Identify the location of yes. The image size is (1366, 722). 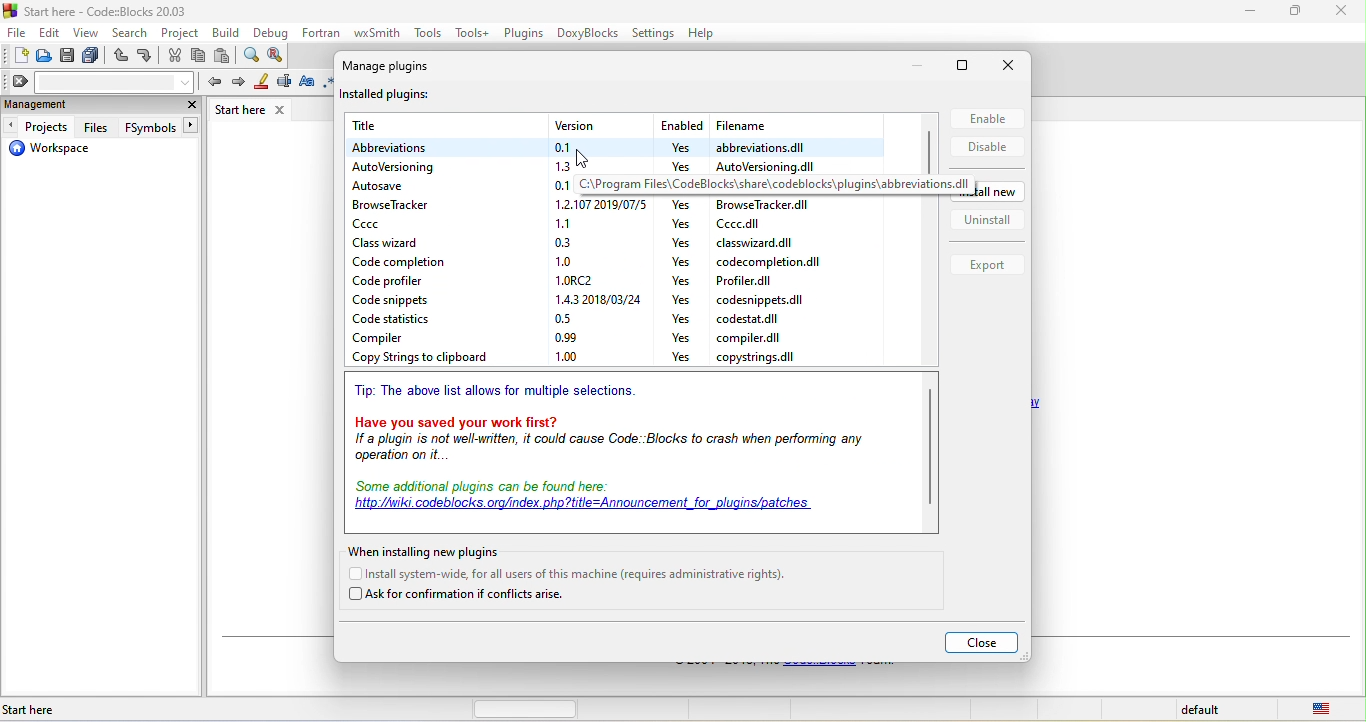
(680, 337).